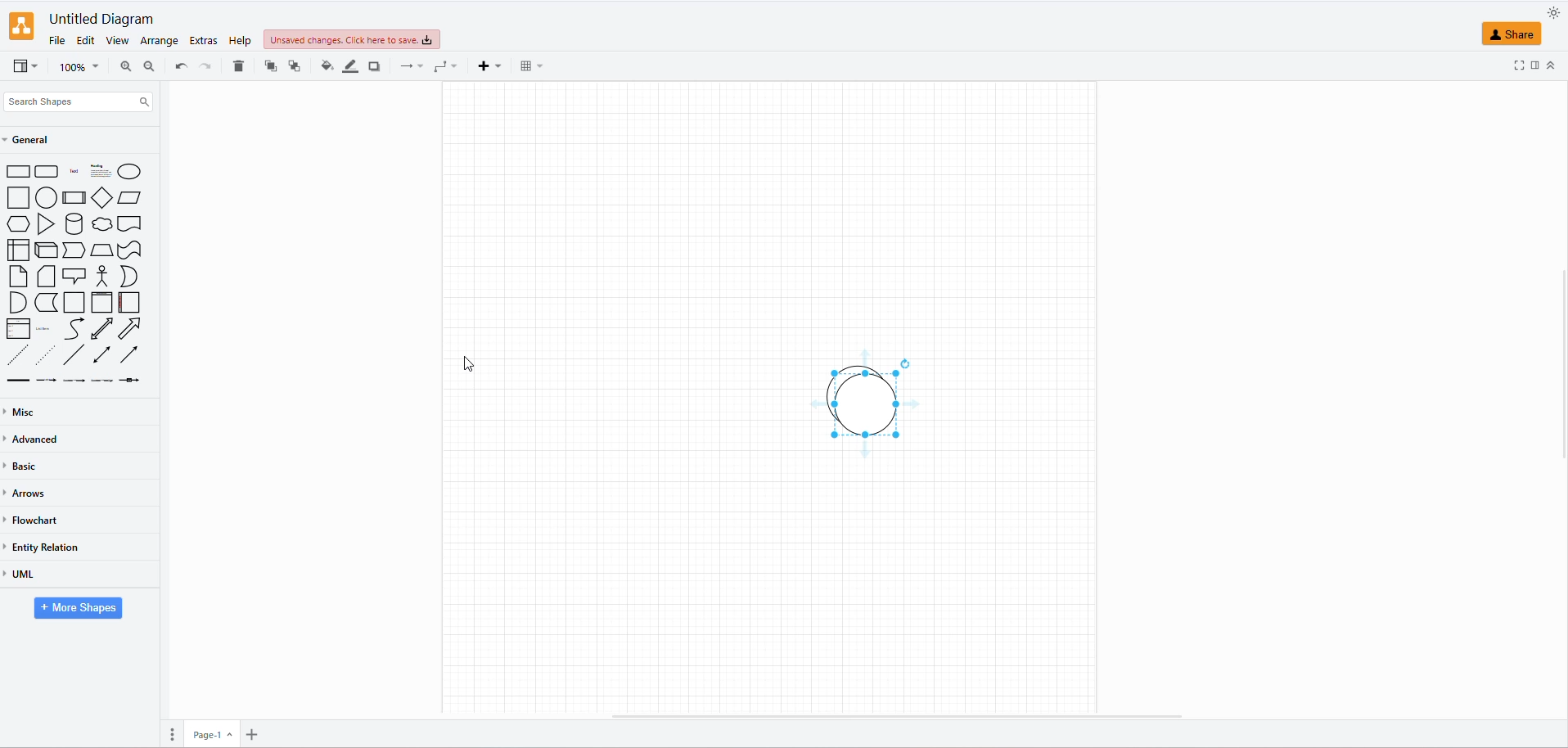  Describe the element at coordinates (79, 68) in the screenshot. I see `ZOOM` at that location.